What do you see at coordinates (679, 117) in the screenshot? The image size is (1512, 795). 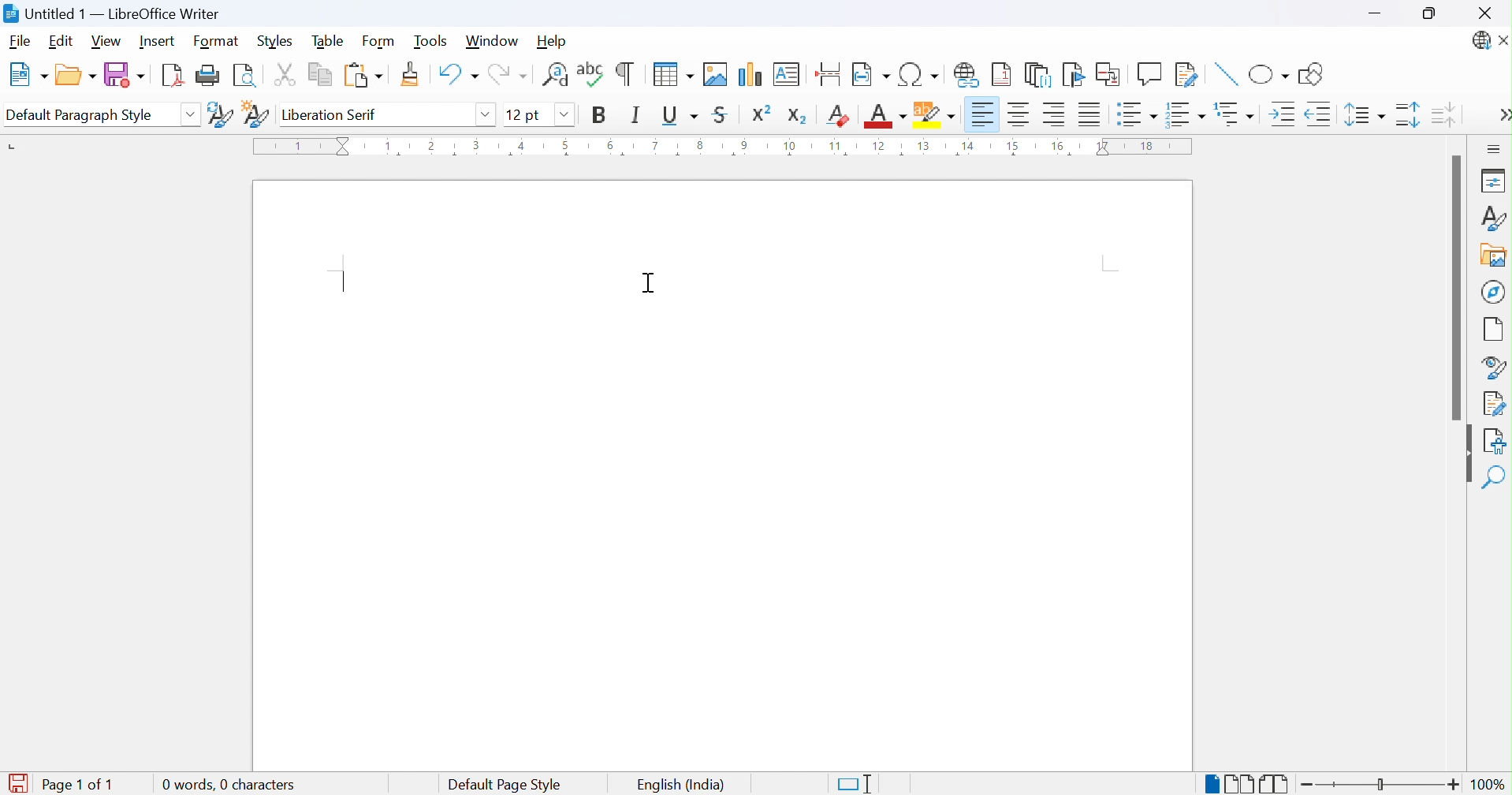 I see `Underline` at bounding box center [679, 117].